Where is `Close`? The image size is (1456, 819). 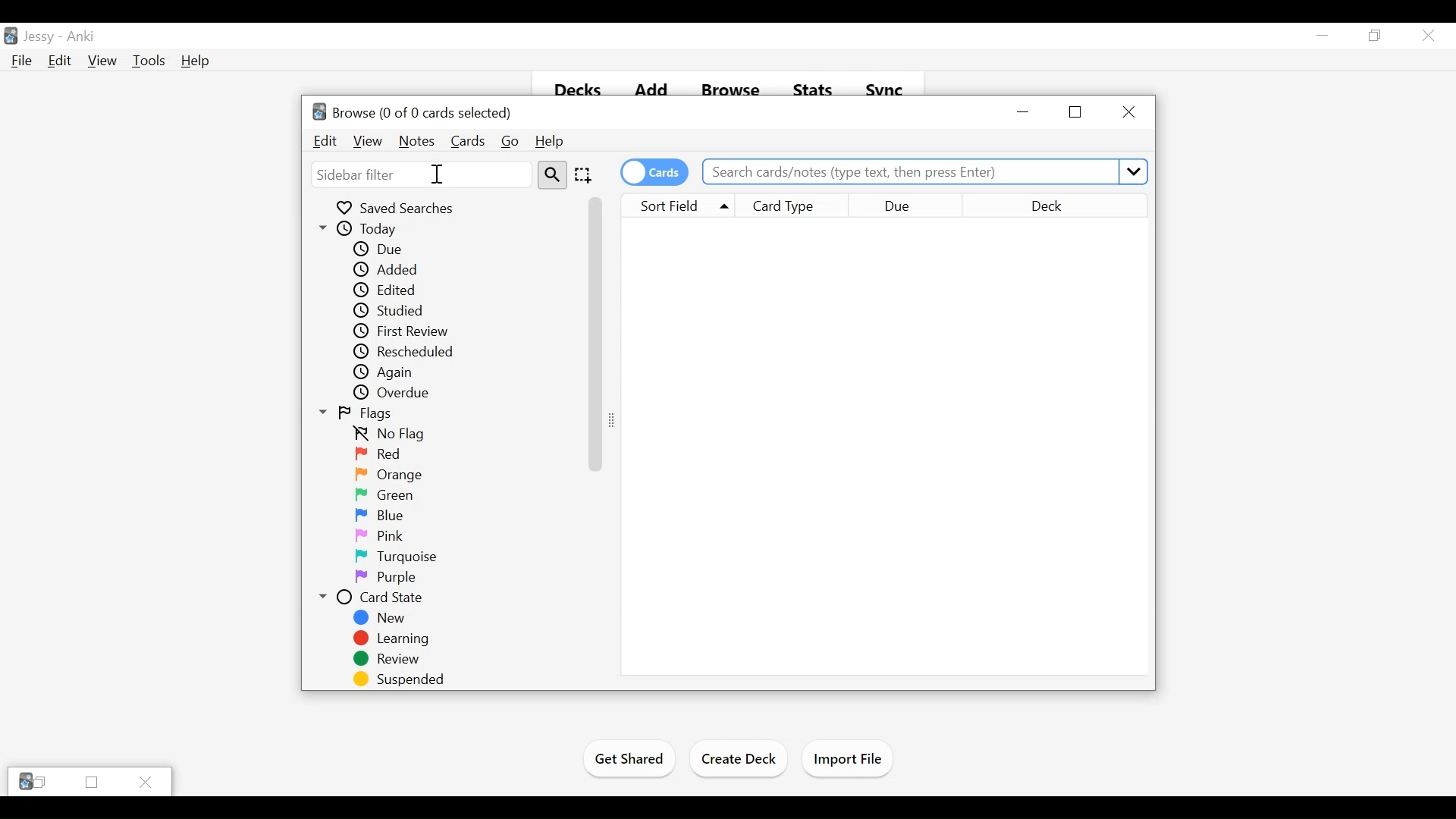
Close is located at coordinates (1128, 111).